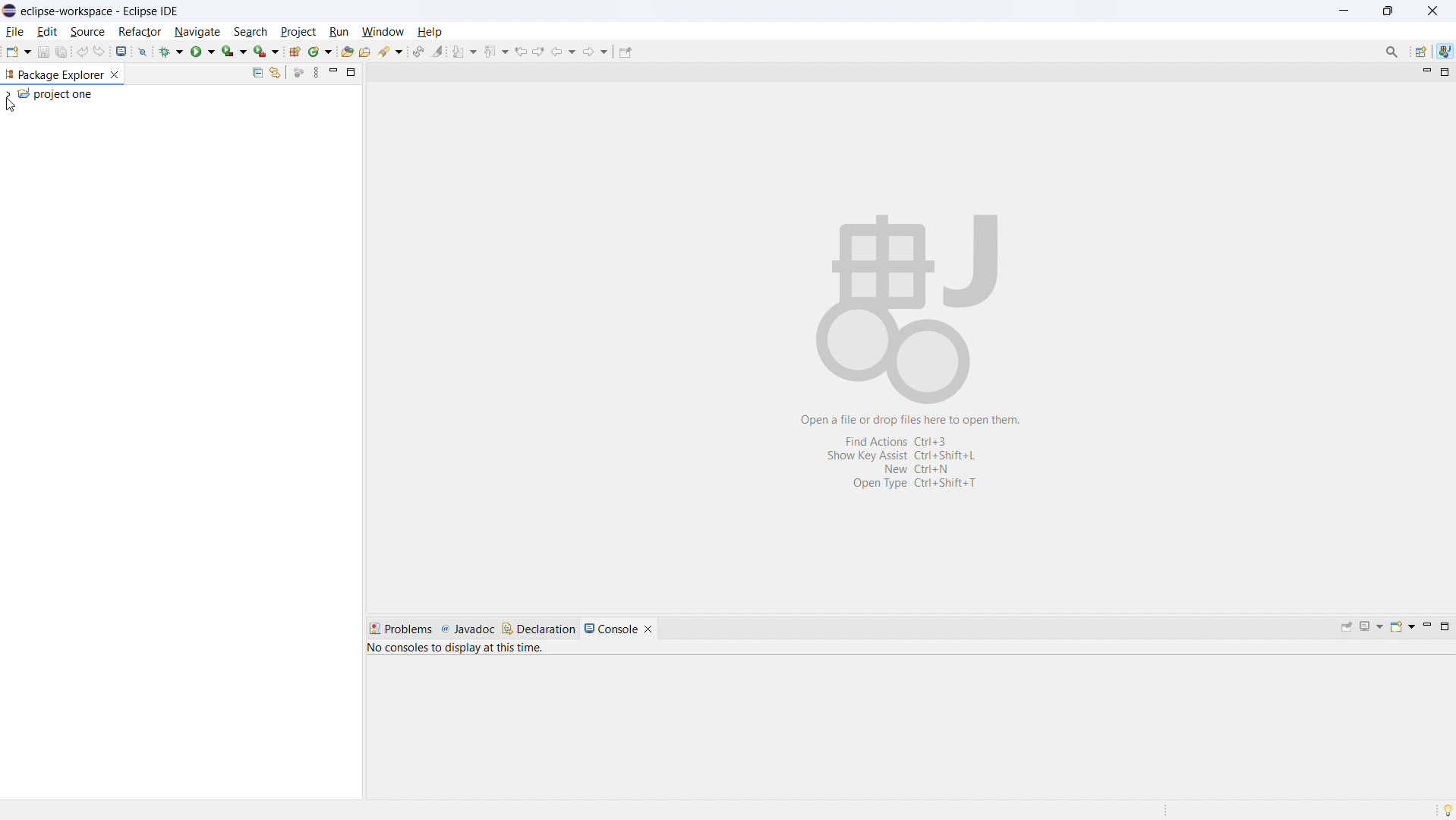 The height and width of the screenshot is (820, 1456). I want to click on previous annotation , so click(496, 52).